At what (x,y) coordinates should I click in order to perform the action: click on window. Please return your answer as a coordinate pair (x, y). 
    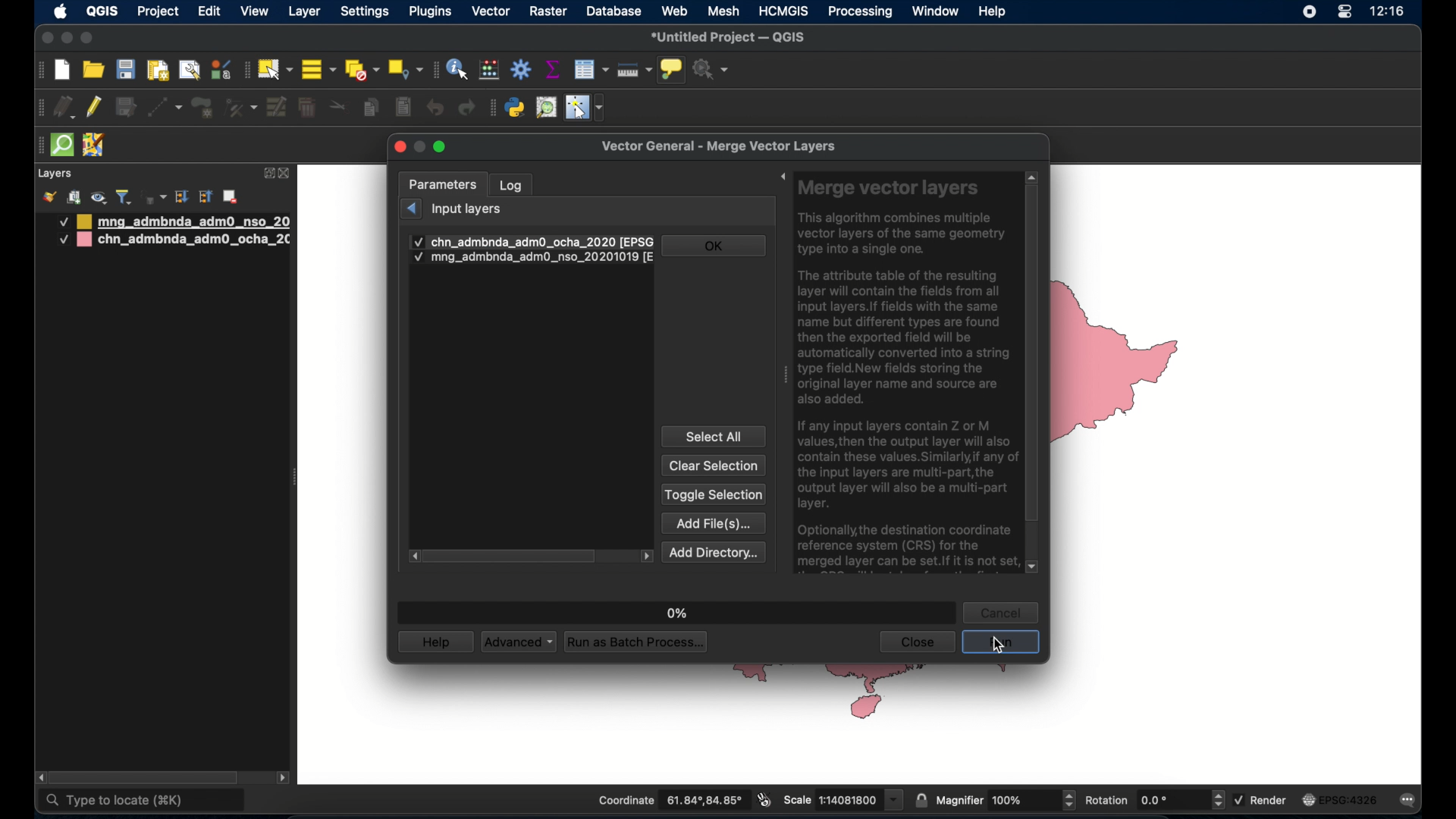
    Looking at the image, I should click on (935, 11).